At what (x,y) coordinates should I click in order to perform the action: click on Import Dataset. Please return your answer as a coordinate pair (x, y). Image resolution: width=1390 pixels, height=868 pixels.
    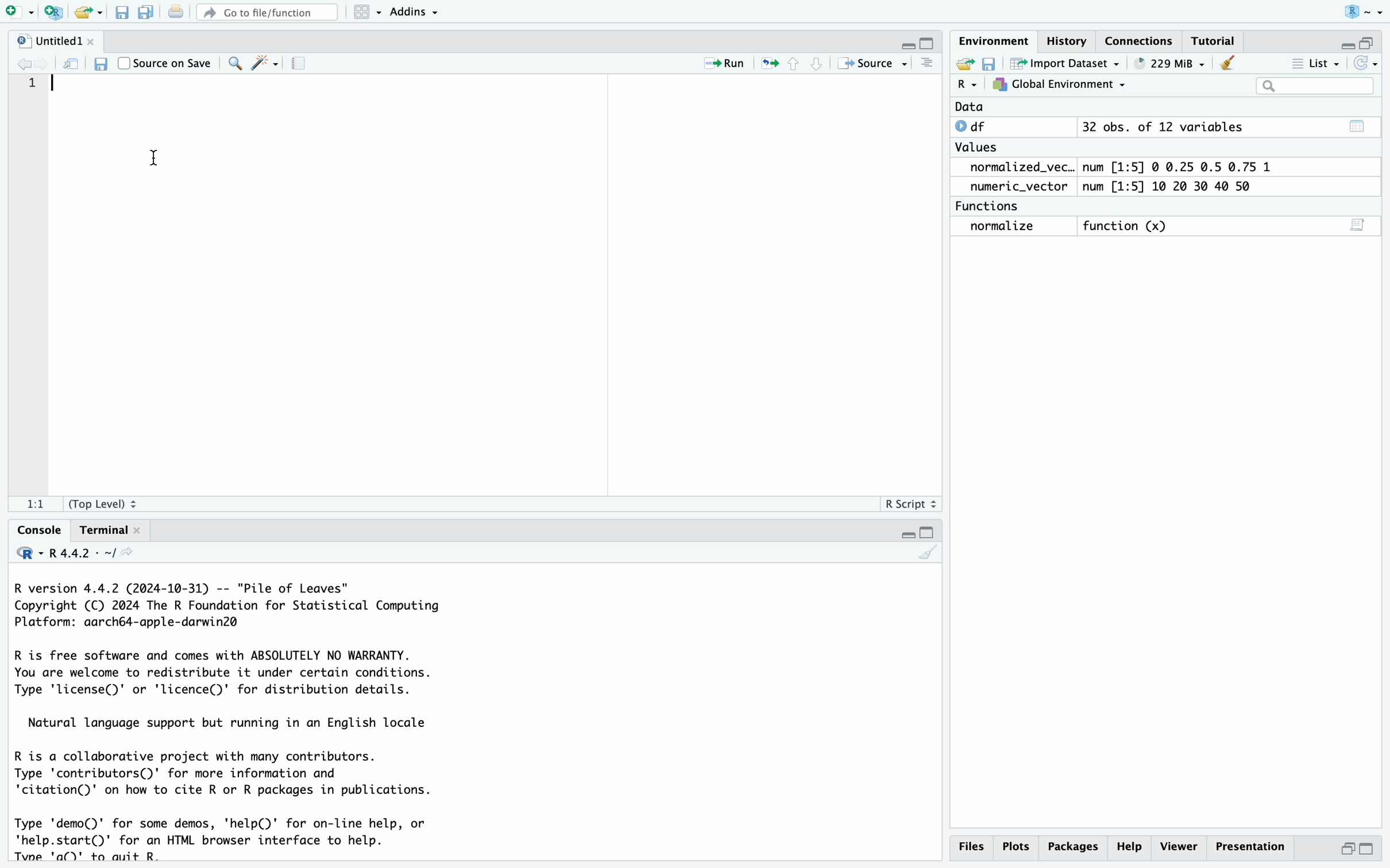
    Looking at the image, I should click on (1067, 63).